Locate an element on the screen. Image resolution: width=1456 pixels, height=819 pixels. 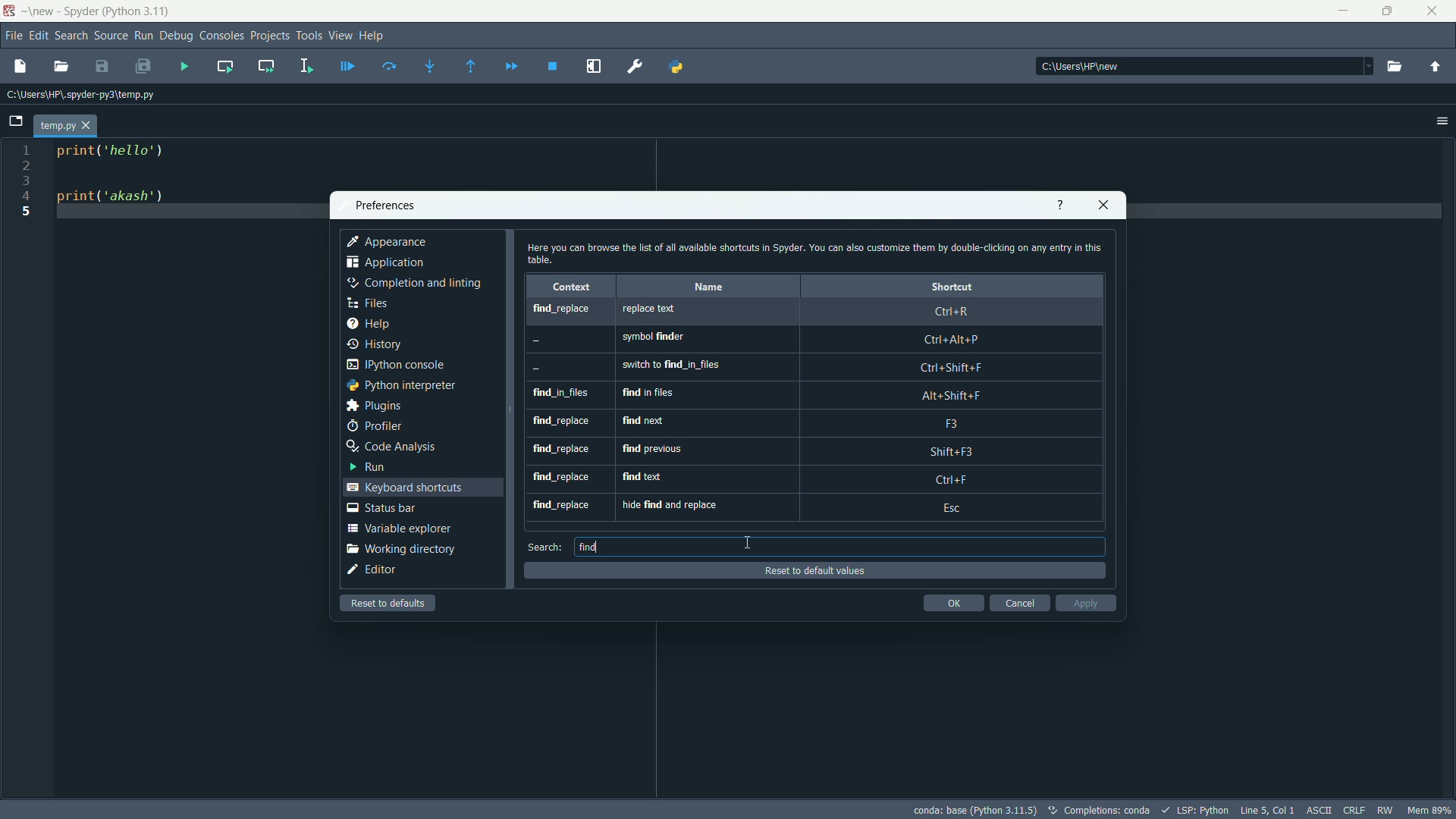
 search:  is located at coordinates (545, 547).